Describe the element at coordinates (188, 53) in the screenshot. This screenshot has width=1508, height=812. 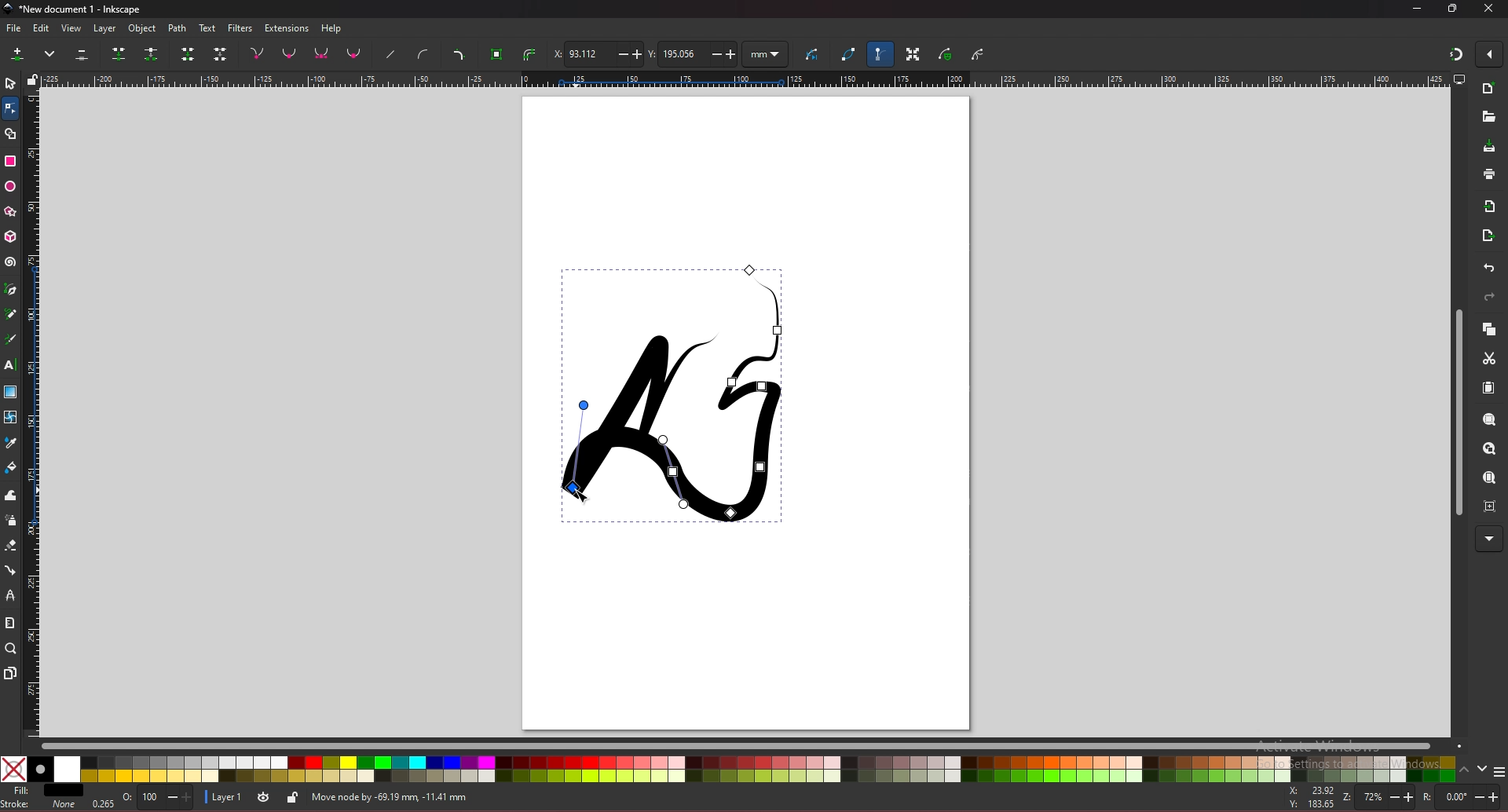
I see `join selected endnode` at that location.